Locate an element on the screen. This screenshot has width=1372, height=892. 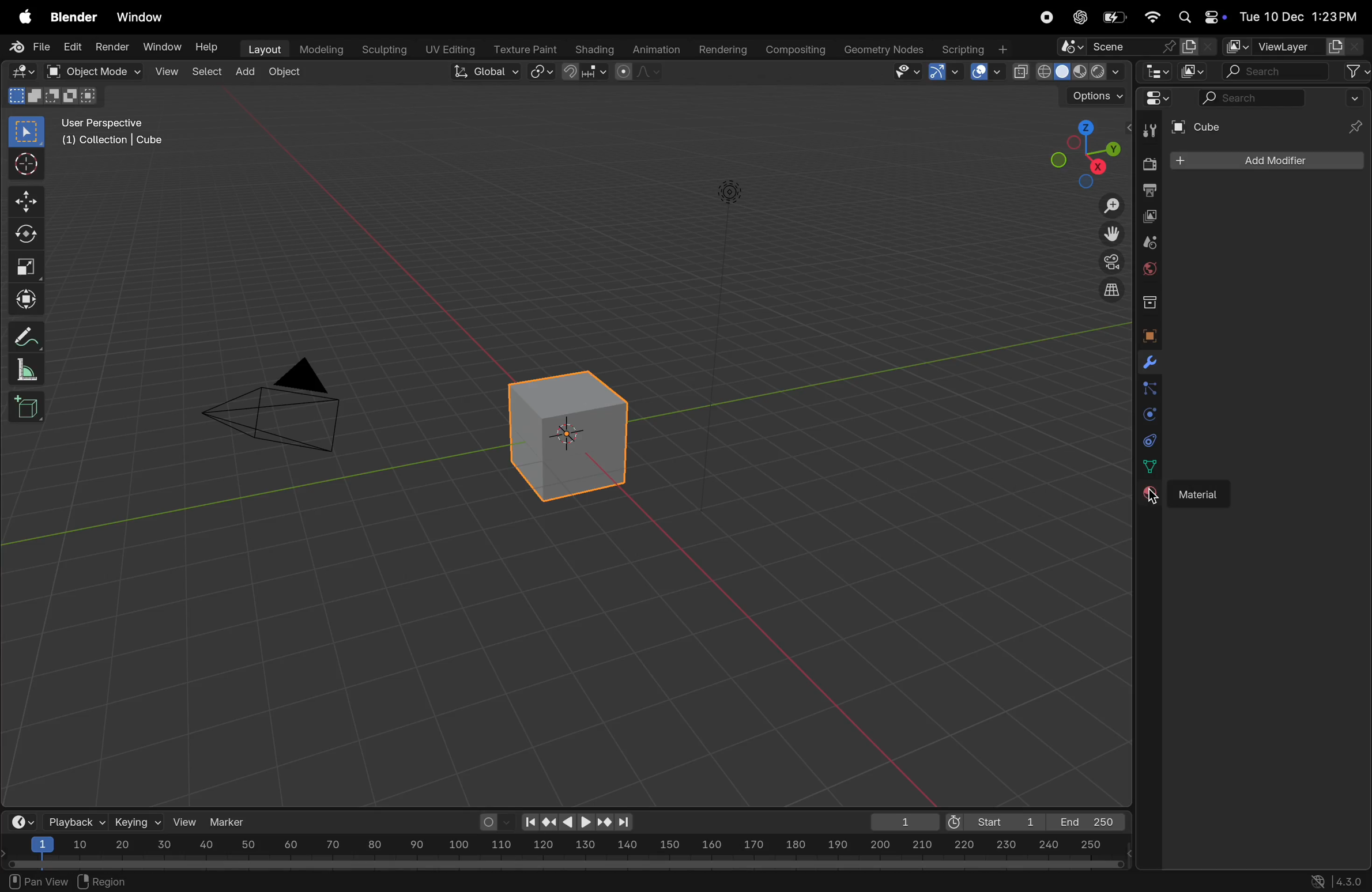
material is located at coordinates (1200, 494).